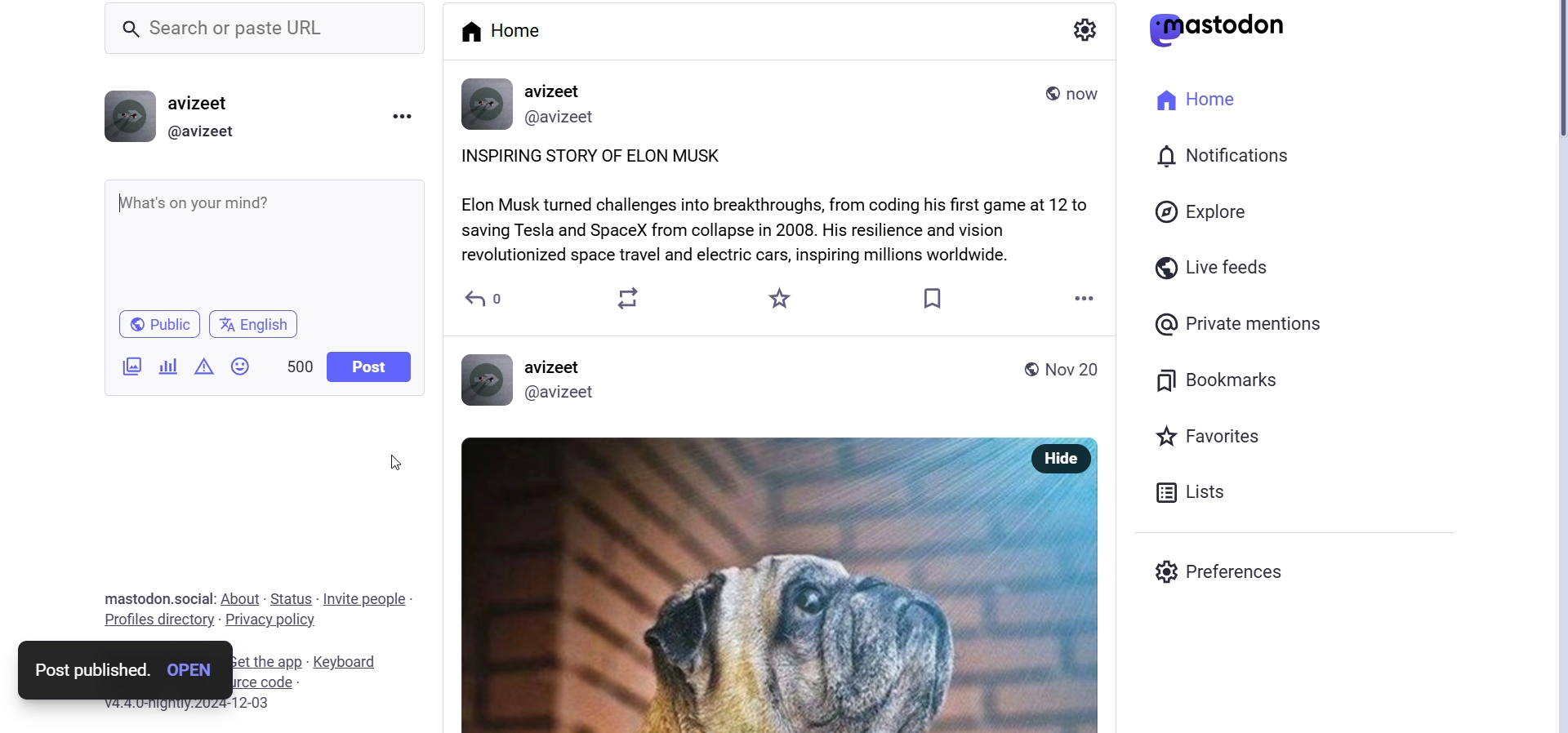 The height and width of the screenshot is (733, 1568). Describe the element at coordinates (1212, 434) in the screenshot. I see `favorites` at that location.